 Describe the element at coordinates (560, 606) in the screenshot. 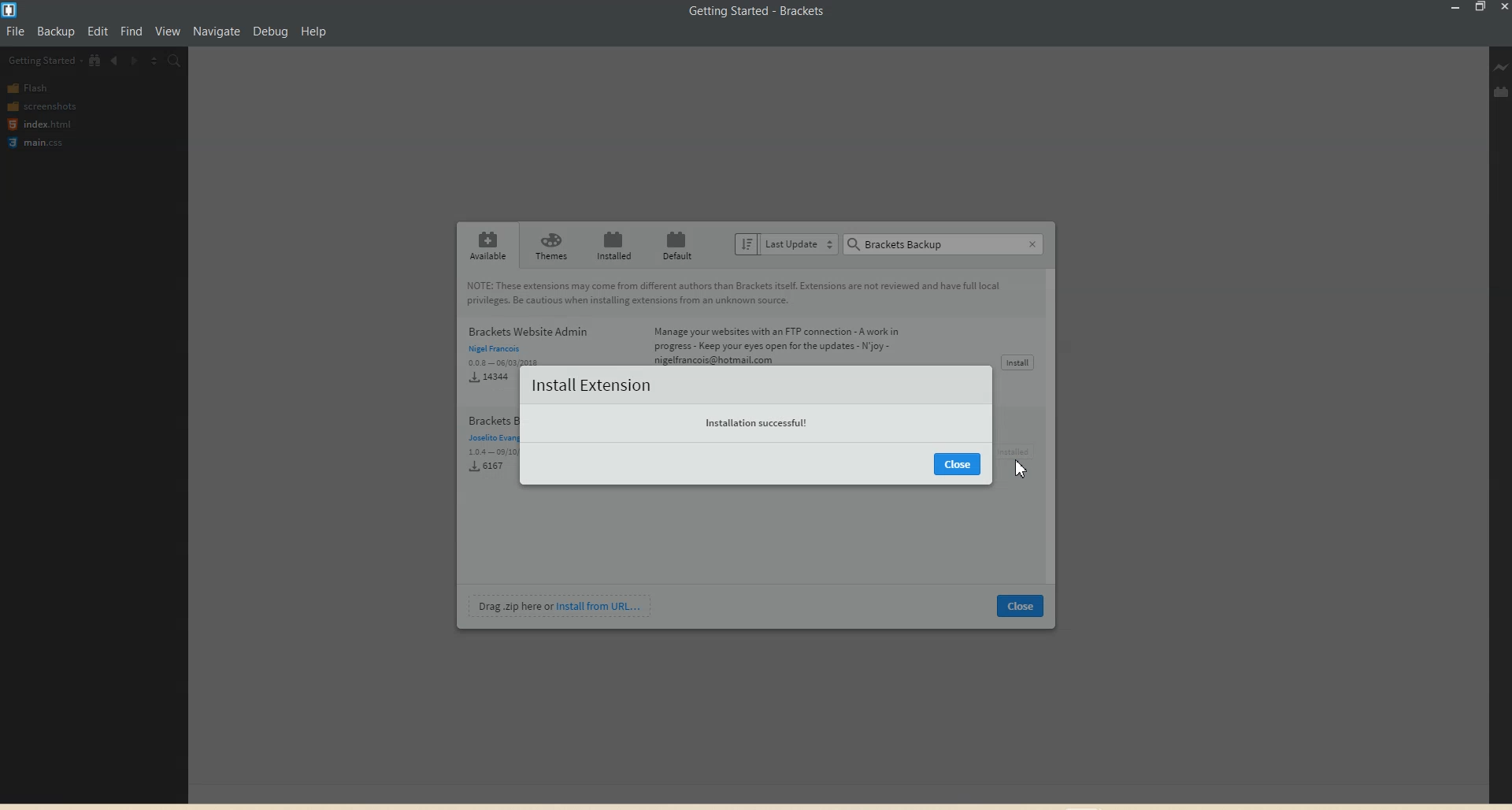

I see `Install from URL` at that location.